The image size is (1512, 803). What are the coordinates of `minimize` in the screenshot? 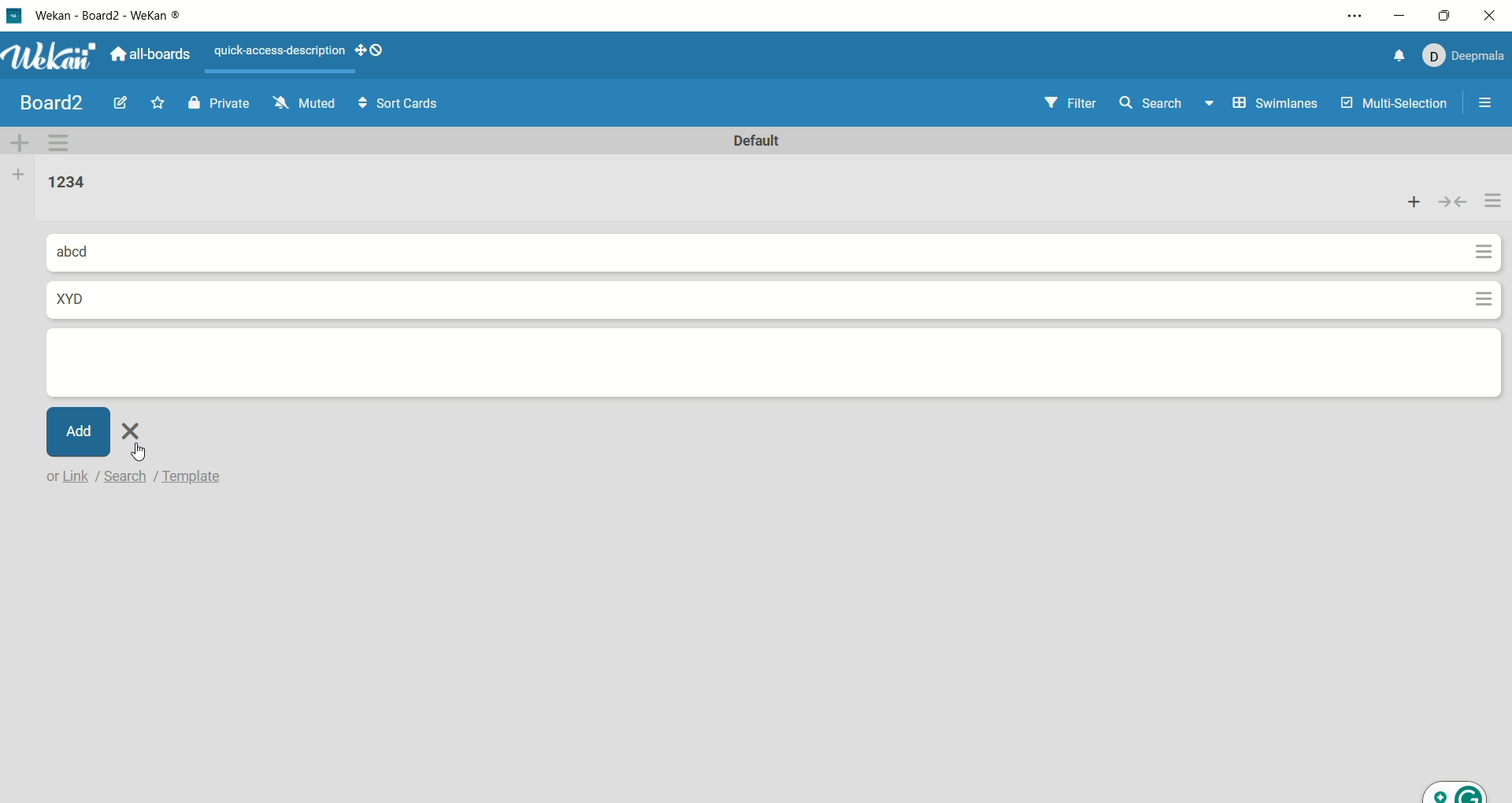 It's located at (1397, 18).